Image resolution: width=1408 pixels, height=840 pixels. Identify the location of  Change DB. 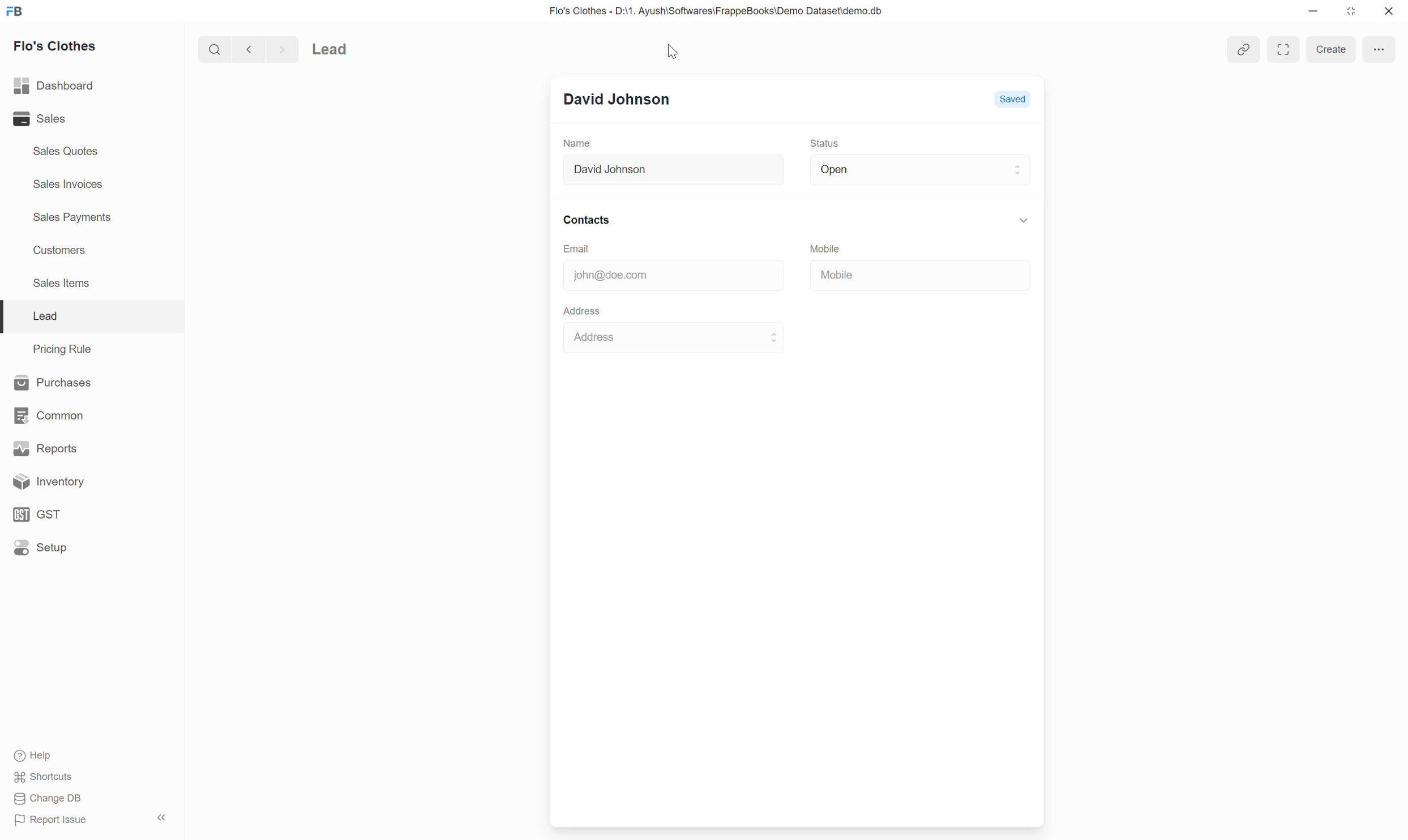
(46, 800).